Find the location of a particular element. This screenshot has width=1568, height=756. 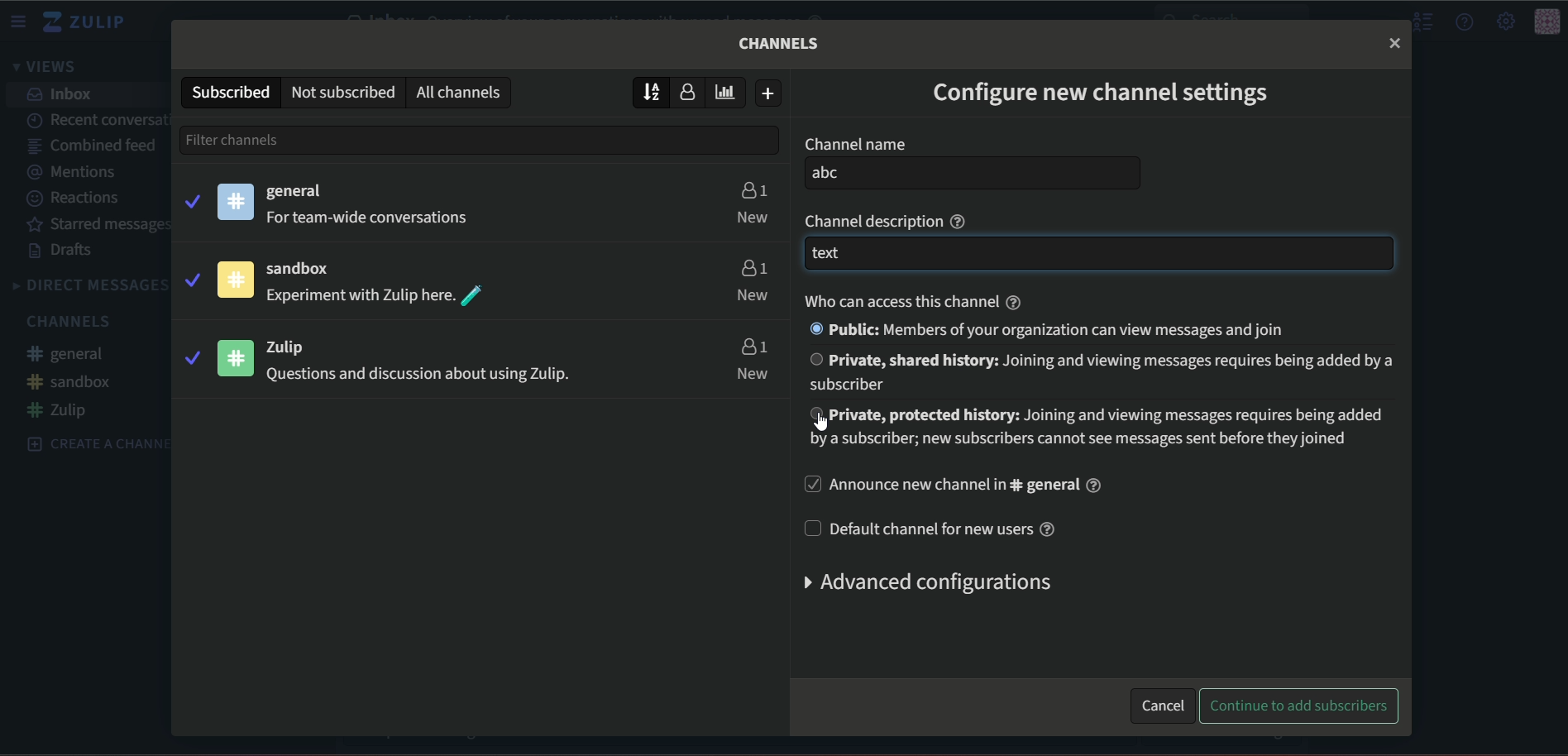

new is located at coordinates (753, 296).